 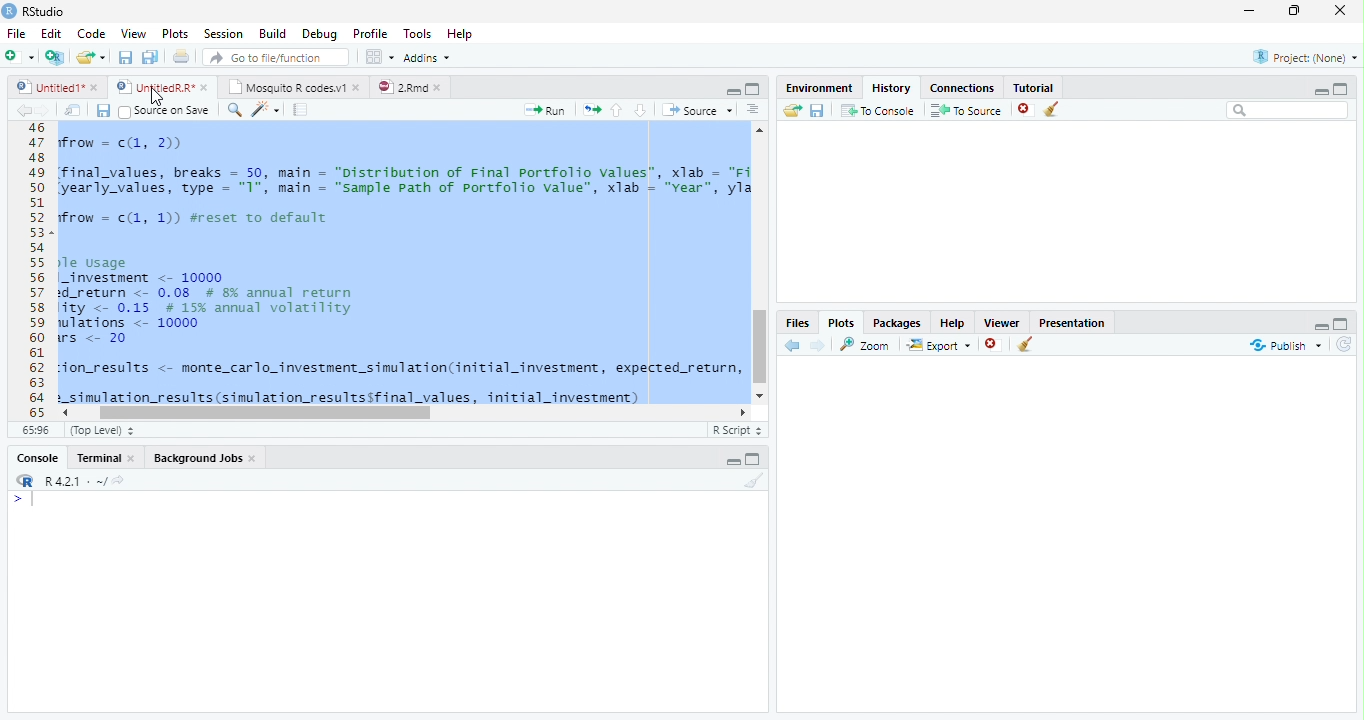 I want to click on Load history from an existing file, so click(x=791, y=111).